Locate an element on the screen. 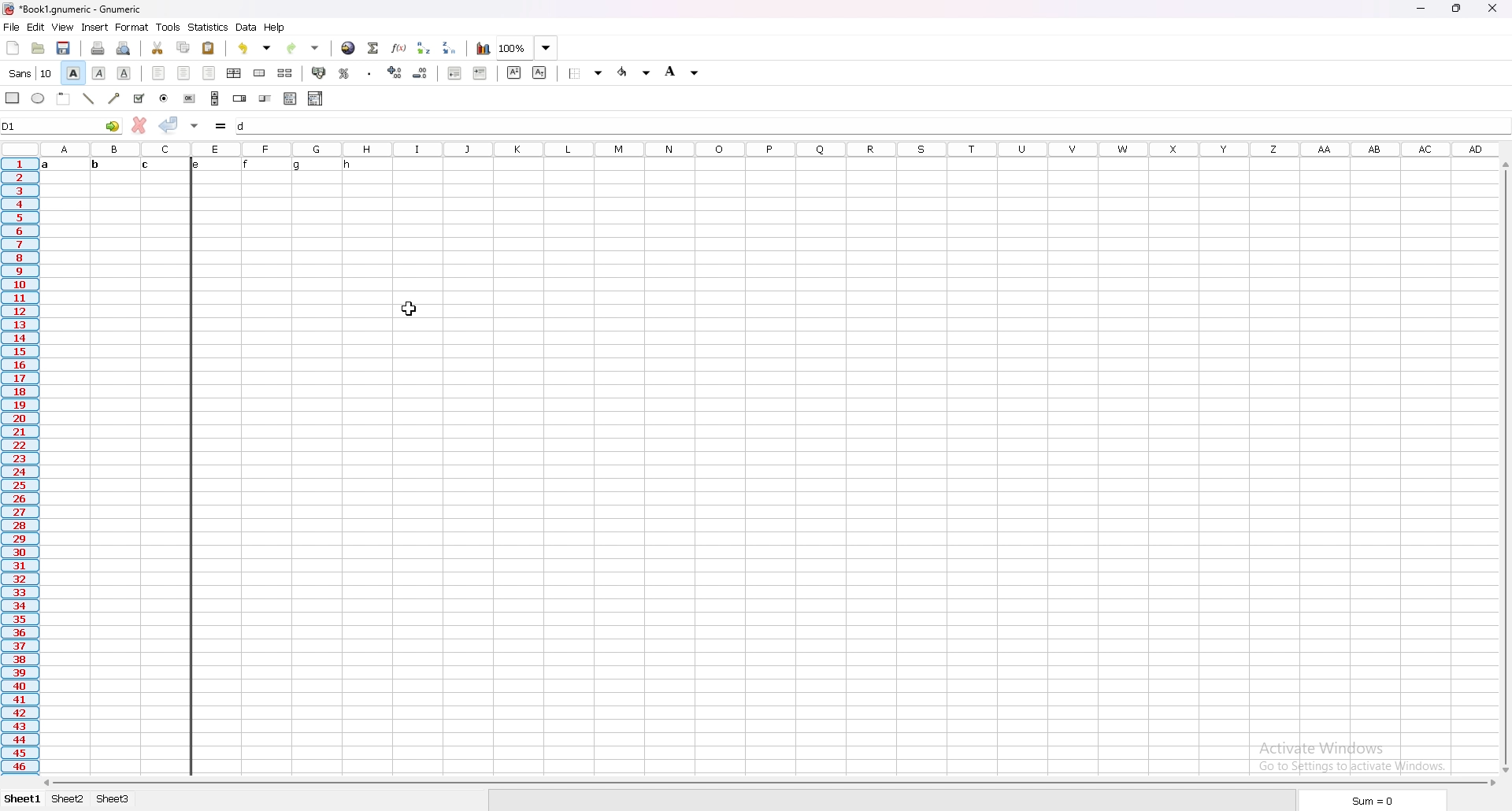 The image size is (1512, 811). file name is located at coordinates (72, 8).